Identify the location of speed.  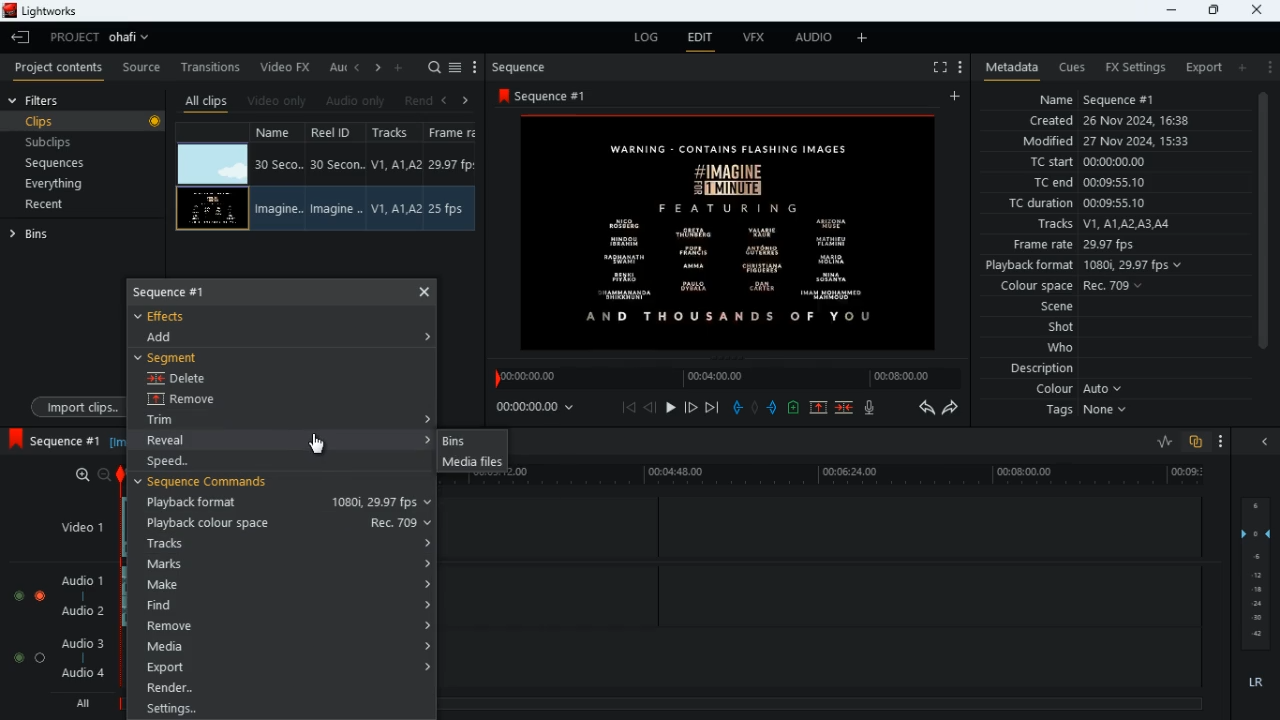
(178, 461).